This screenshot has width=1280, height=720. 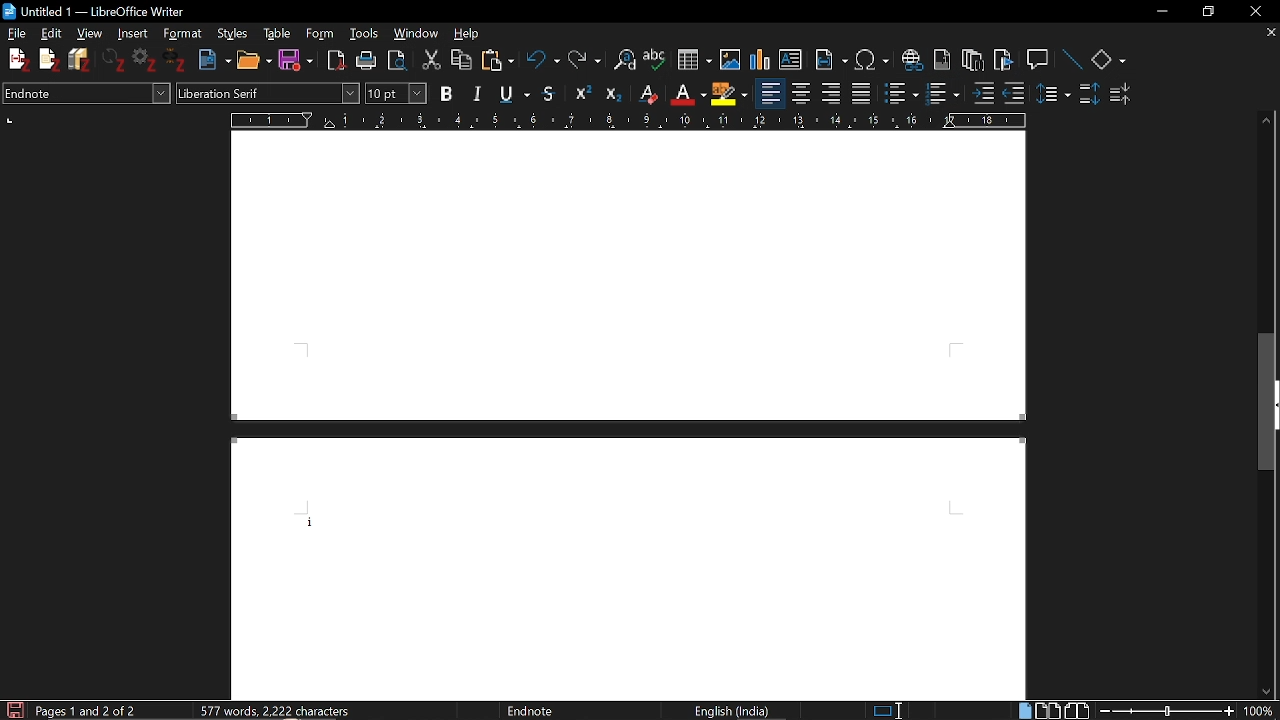 I want to click on Change zoom, so click(x=1167, y=711).